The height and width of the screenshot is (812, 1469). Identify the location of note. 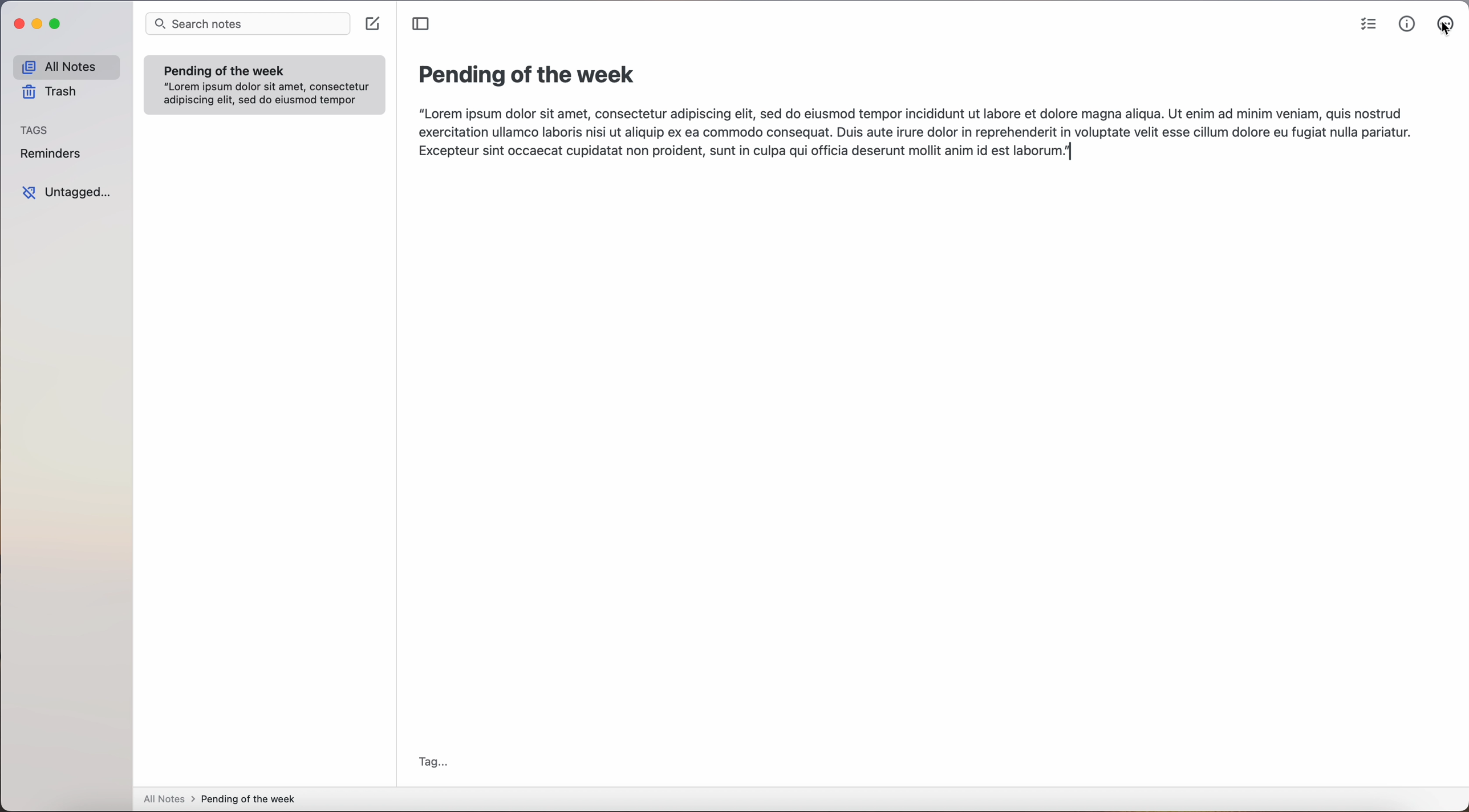
(265, 84).